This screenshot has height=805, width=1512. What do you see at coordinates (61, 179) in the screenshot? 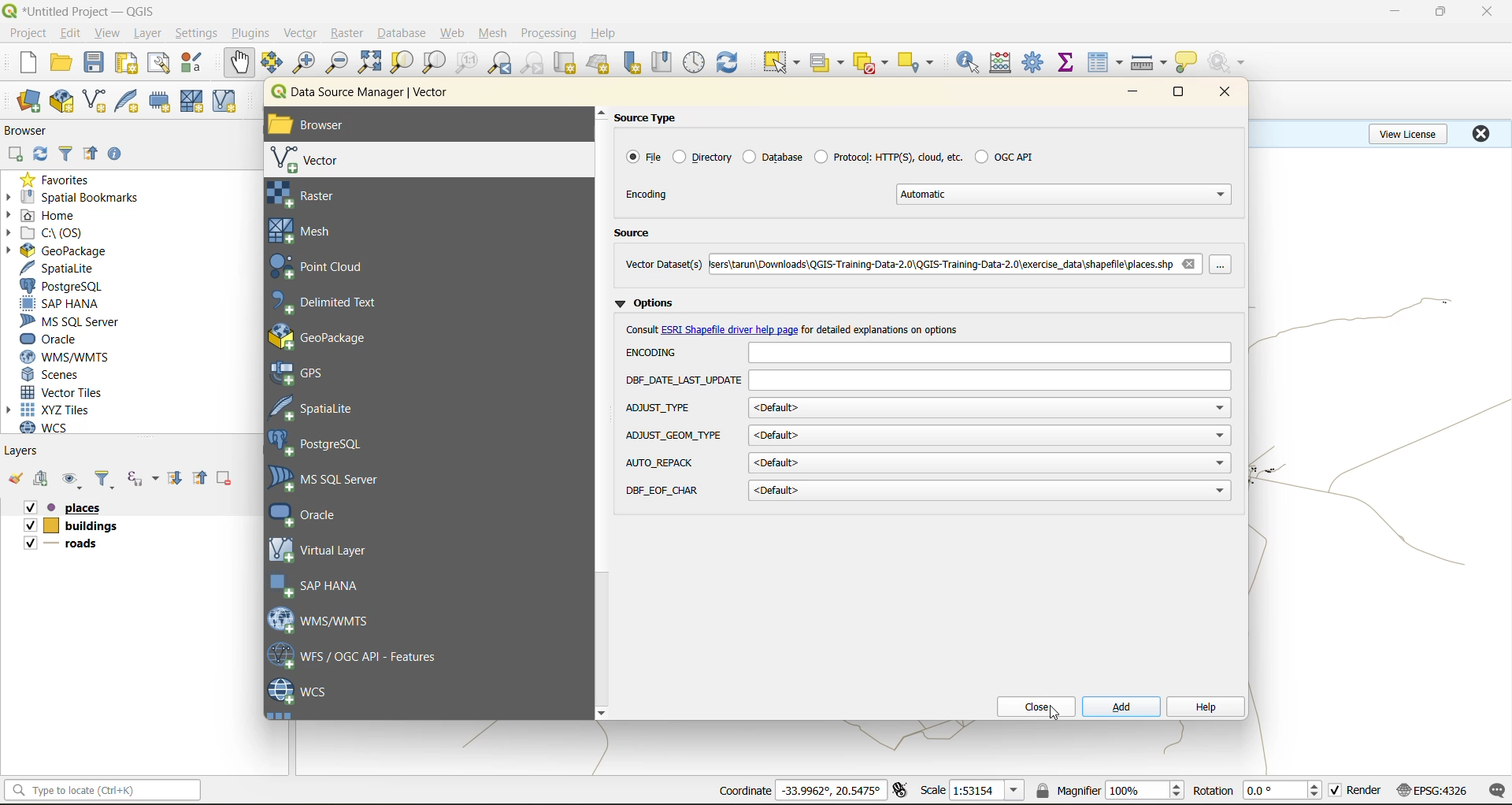
I see `favorites` at bounding box center [61, 179].